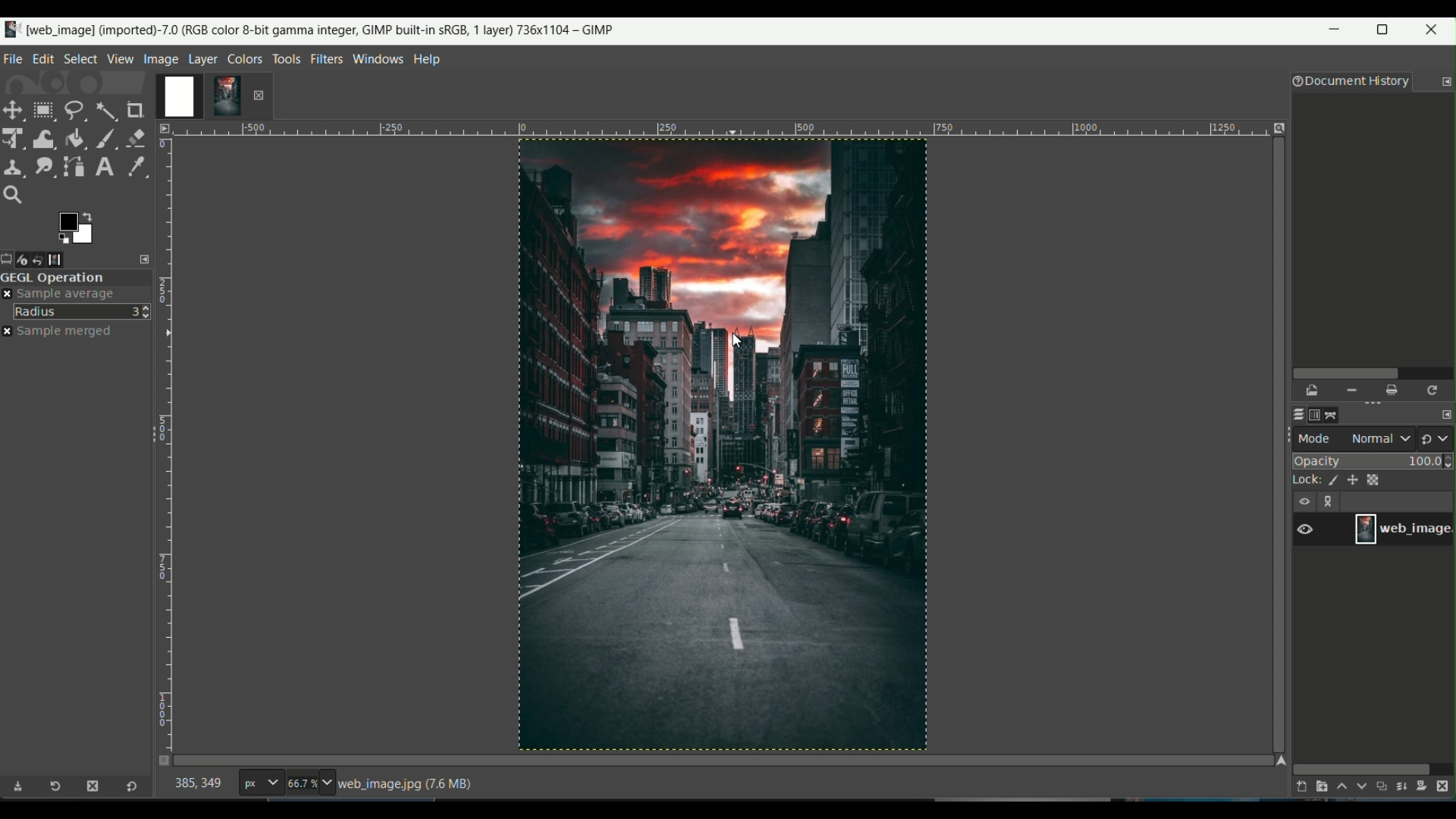  Describe the element at coordinates (1403, 529) in the screenshot. I see `image name` at that location.